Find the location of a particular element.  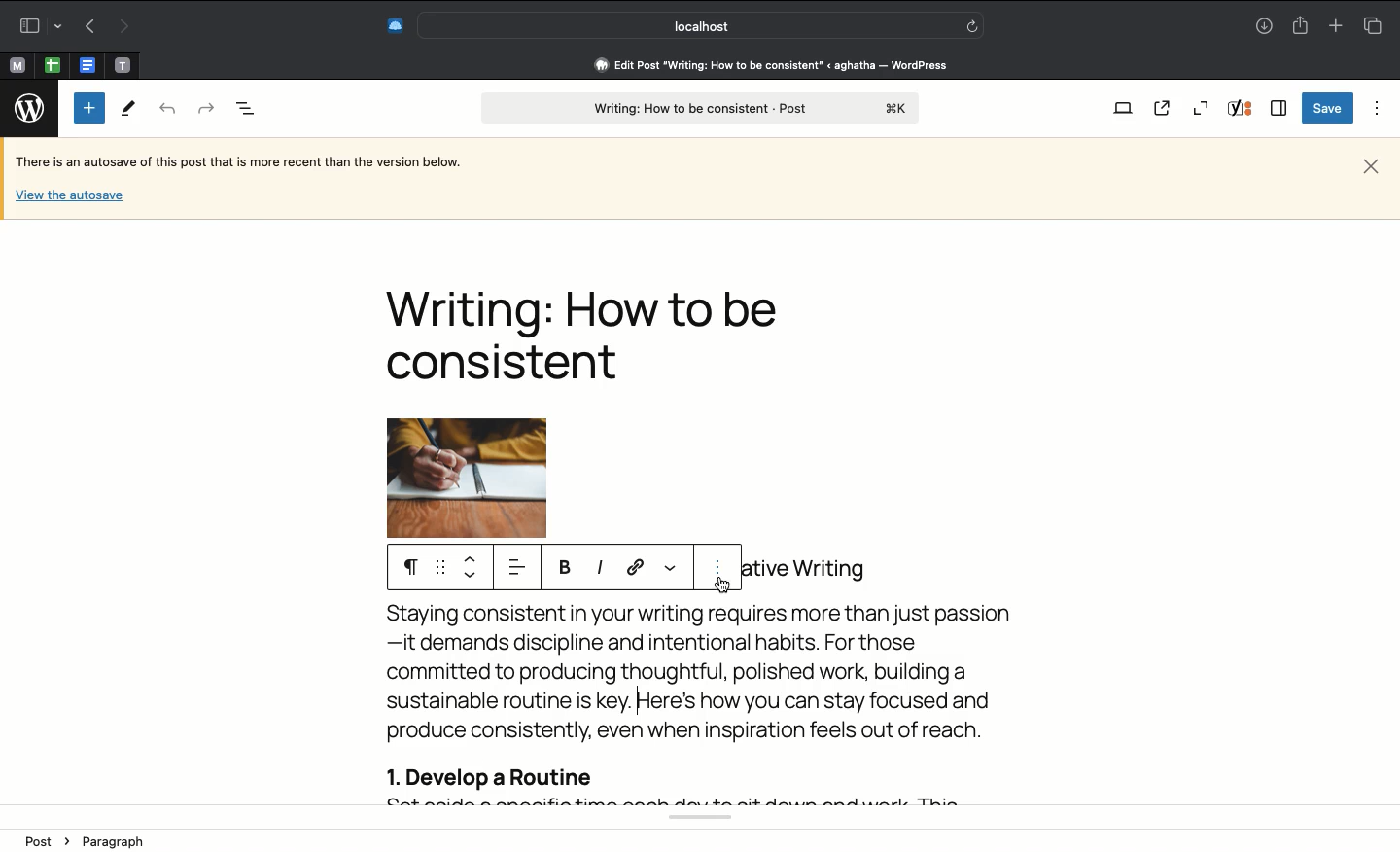

View is located at coordinates (1122, 110).